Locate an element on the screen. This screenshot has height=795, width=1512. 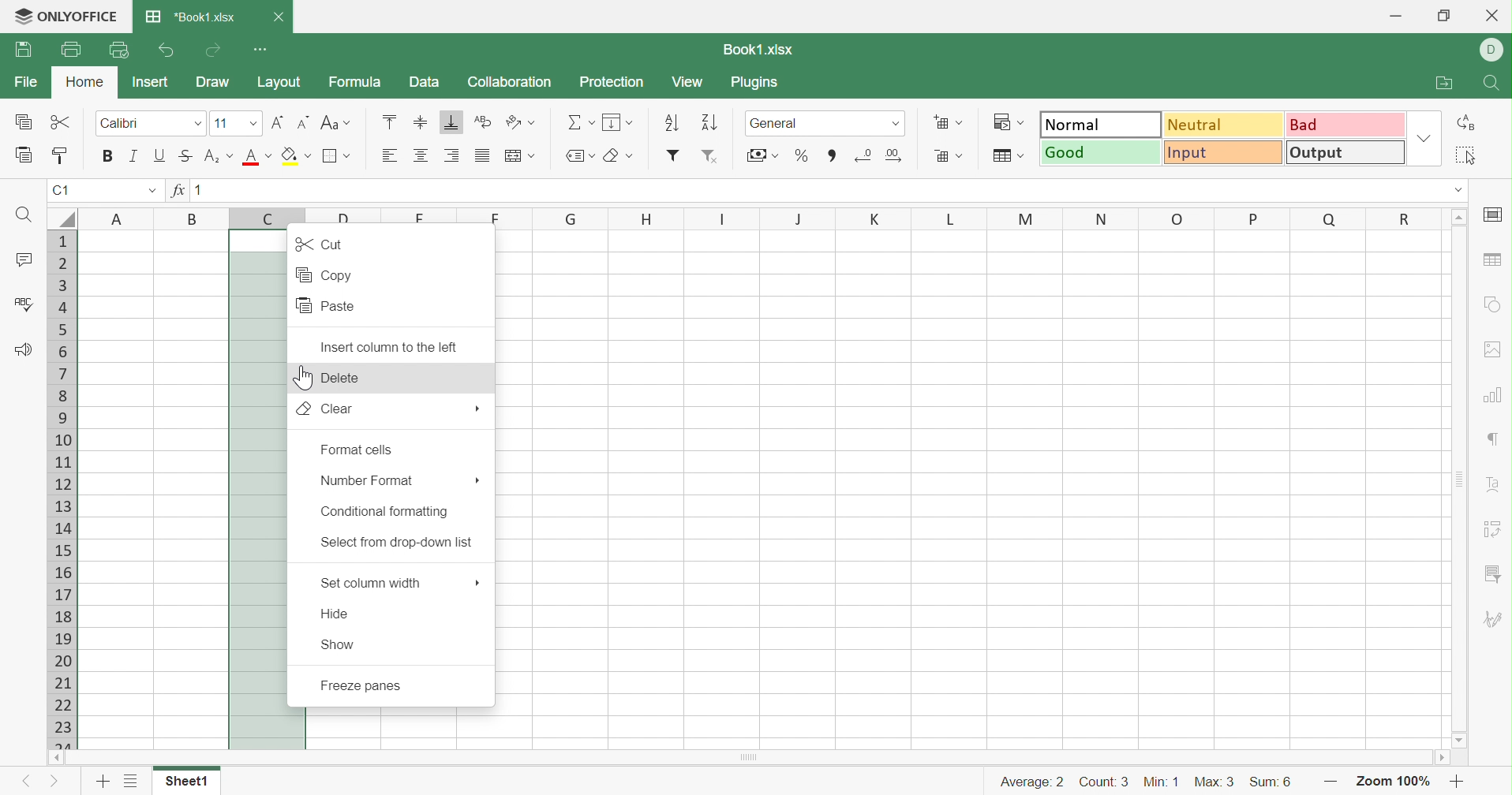
Add Sheet is located at coordinates (100, 782).